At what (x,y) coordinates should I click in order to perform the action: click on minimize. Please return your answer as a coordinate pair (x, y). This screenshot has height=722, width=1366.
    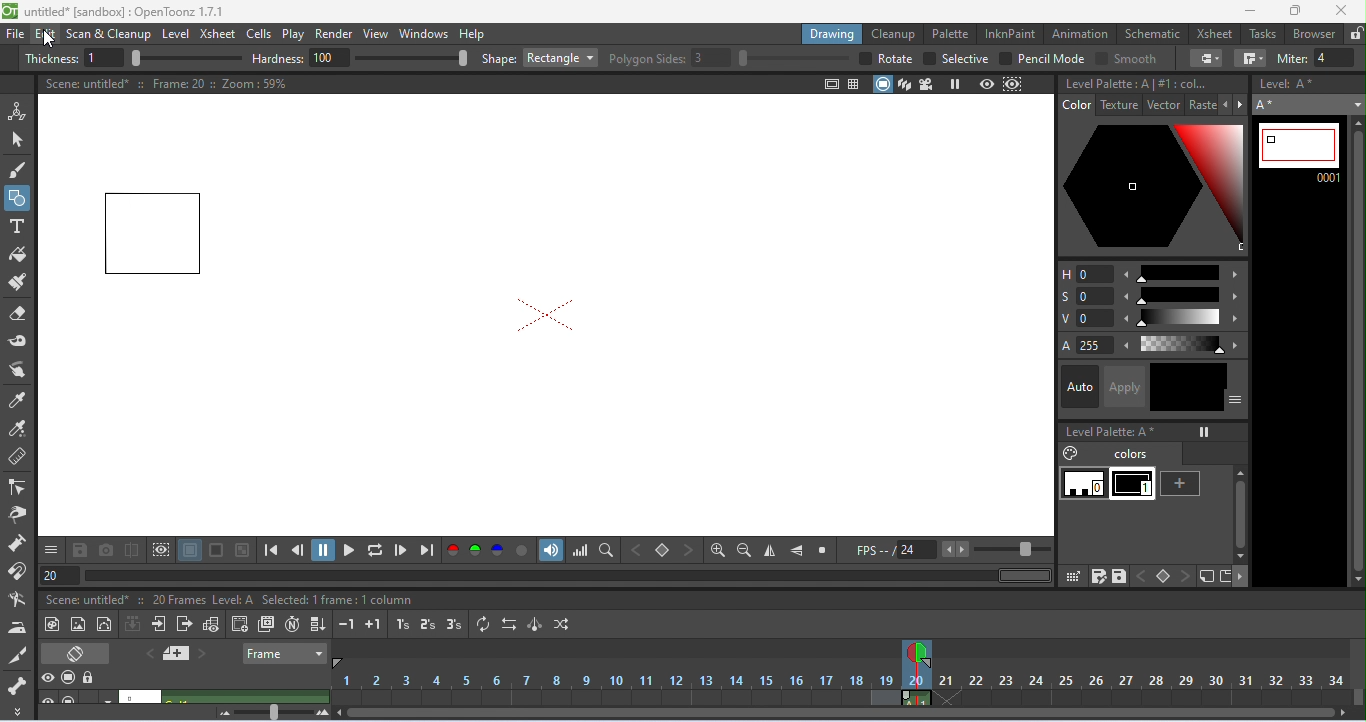
    Looking at the image, I should click on (1250, 12).